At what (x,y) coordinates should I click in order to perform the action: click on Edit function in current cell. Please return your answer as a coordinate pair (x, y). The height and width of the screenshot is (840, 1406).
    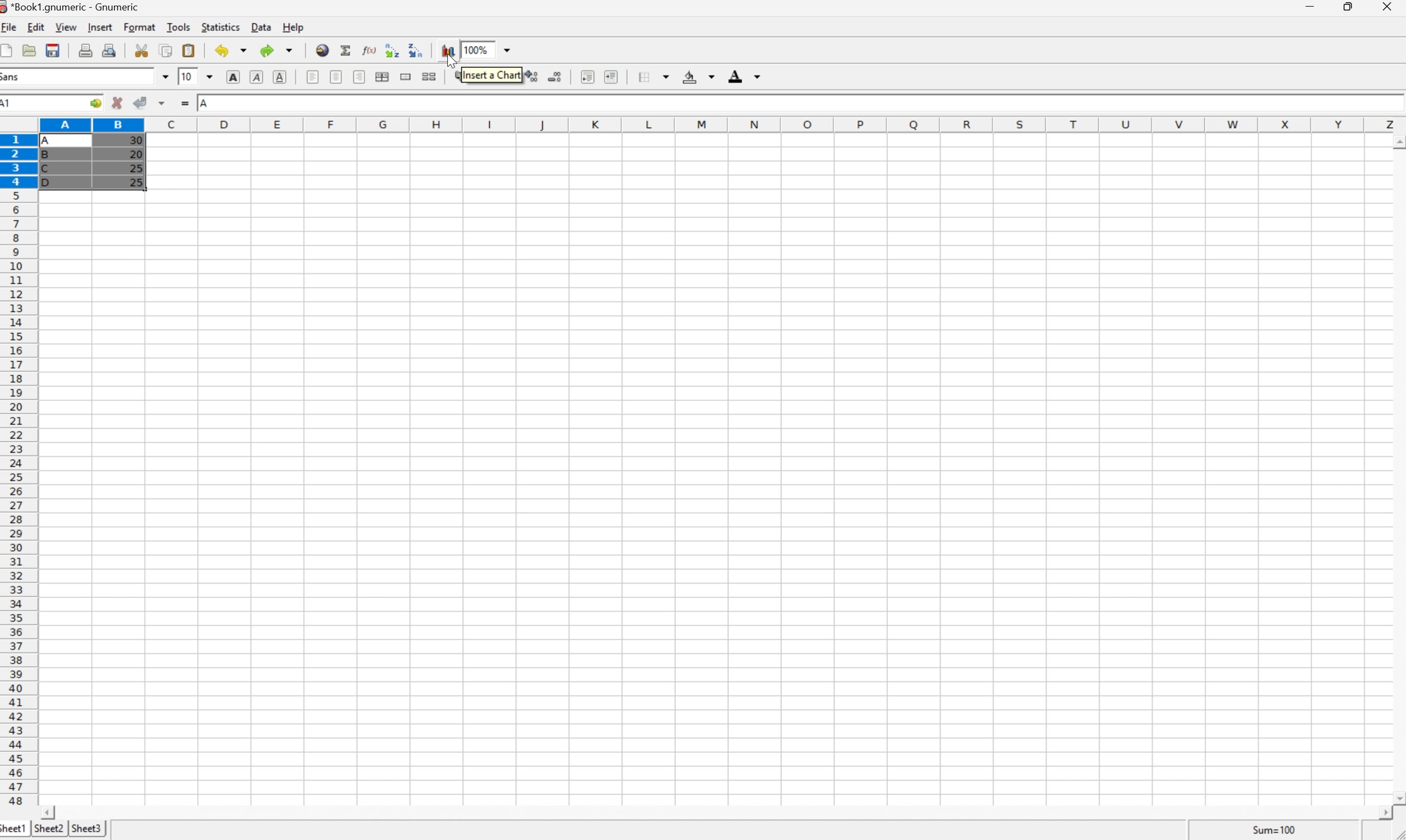
    Looking at the image, I should click on (371, 49).